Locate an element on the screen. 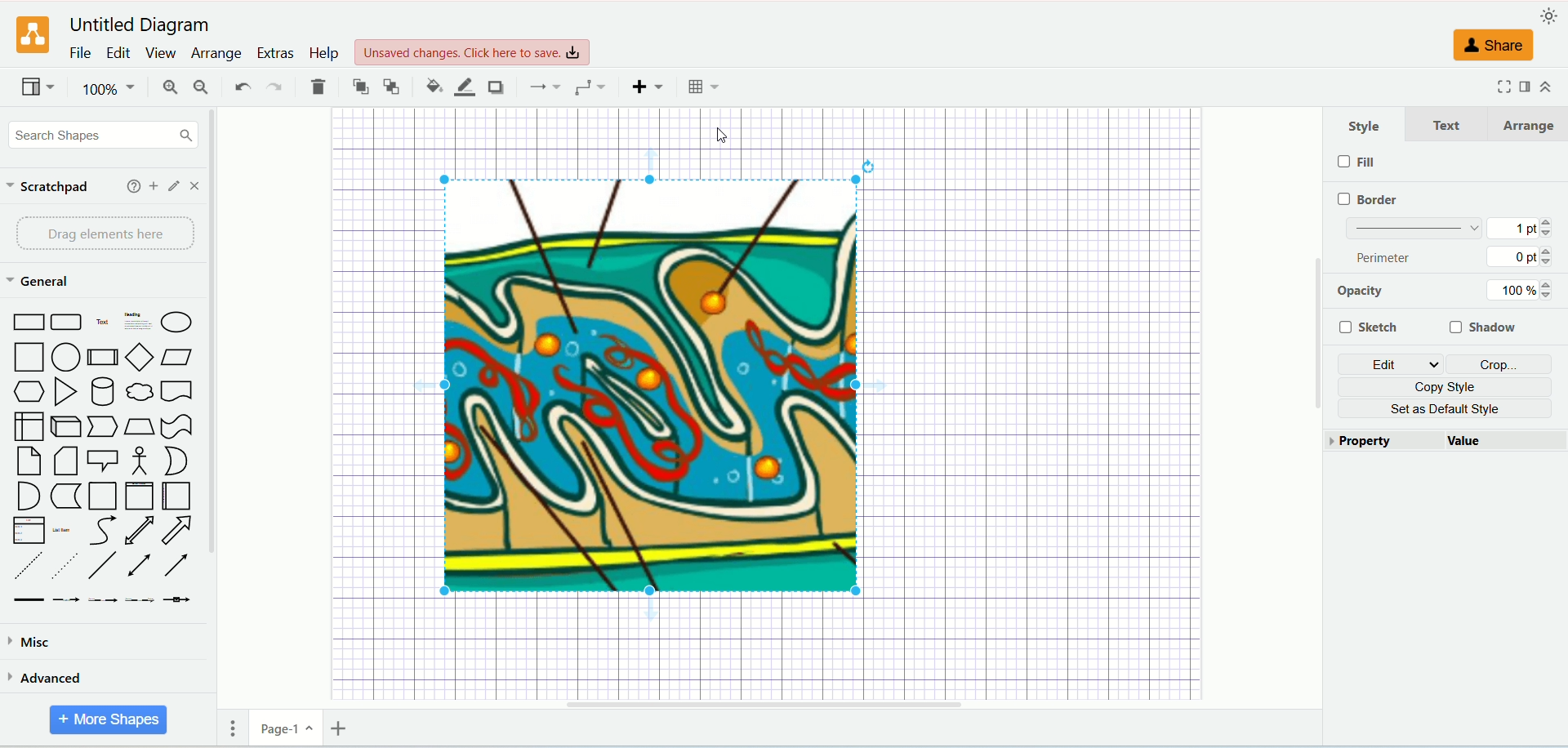  100% is located at coordinates (1520, 292).